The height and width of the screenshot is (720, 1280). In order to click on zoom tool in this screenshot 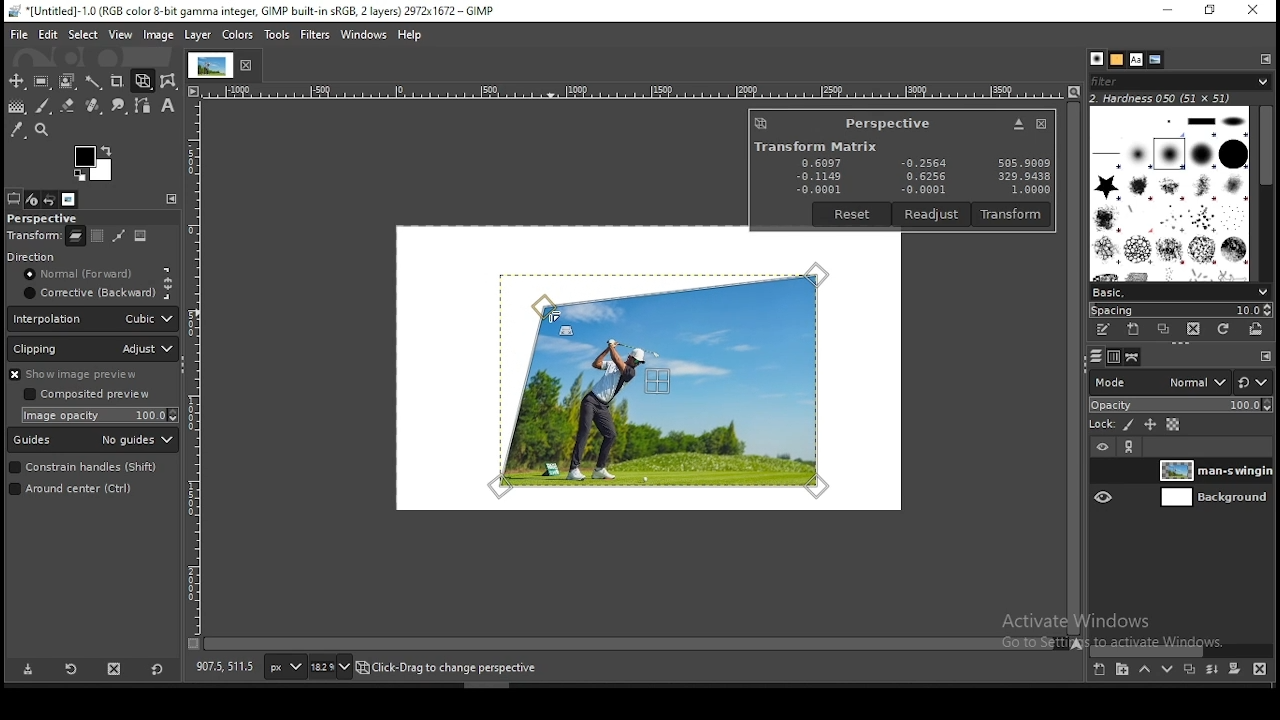, I will do `click(42, 131)`.